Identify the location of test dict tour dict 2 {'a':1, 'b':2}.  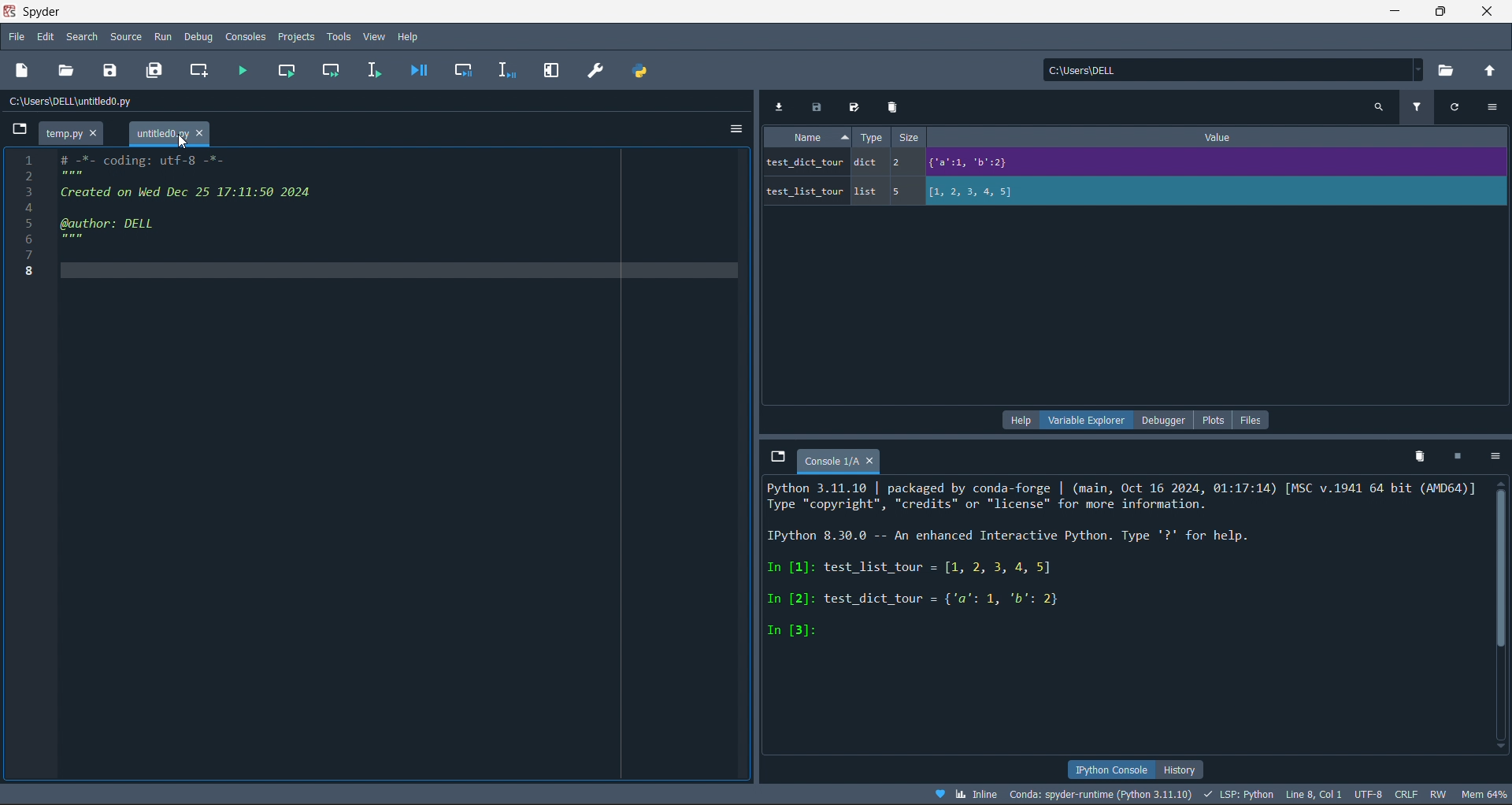
(990, 163).